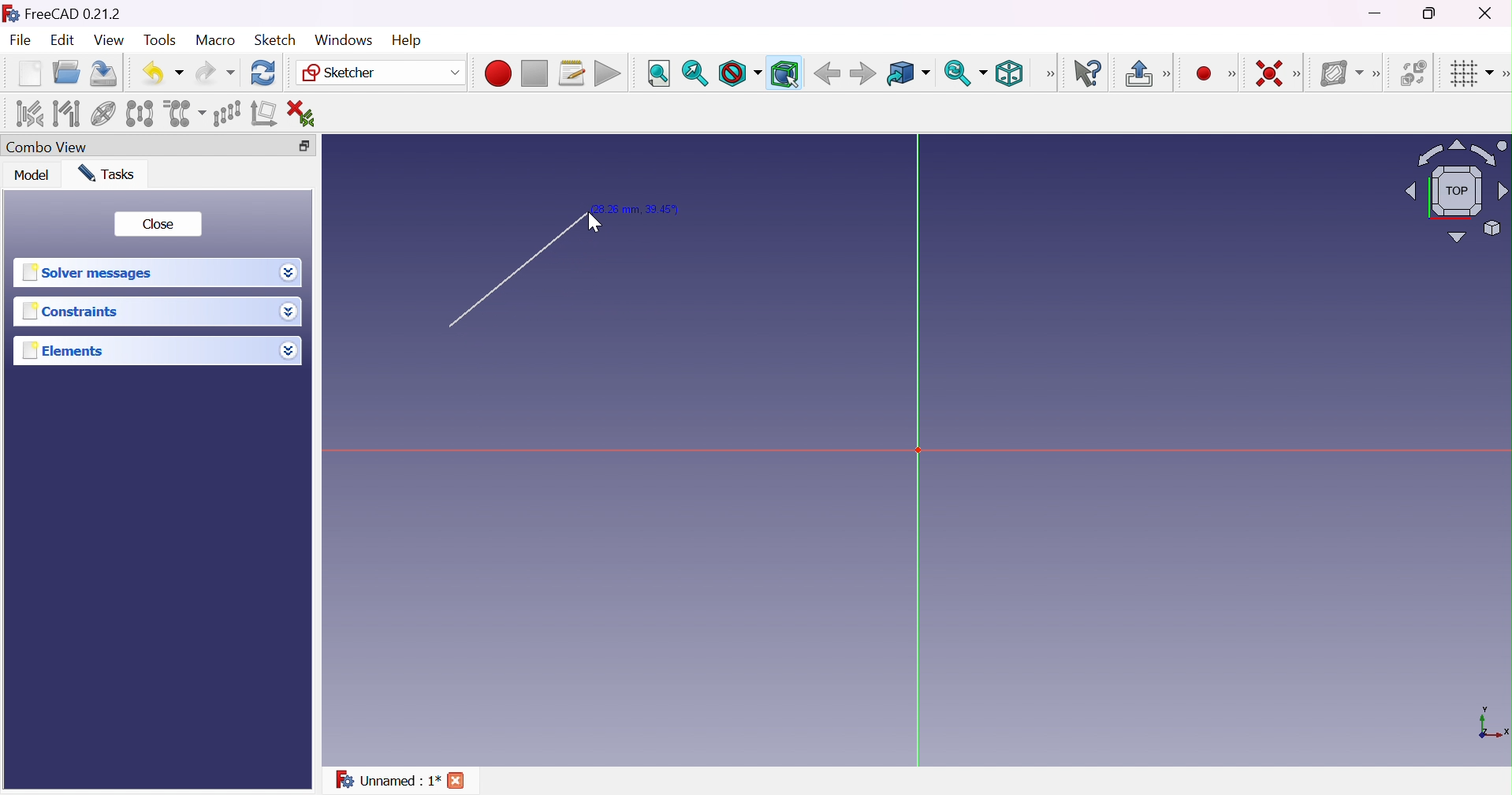 The image size is (1512, 795). What do you see at coordinates (289, 273) in the screenshot?
I see `Drop down` at bounding box center [289, 273].